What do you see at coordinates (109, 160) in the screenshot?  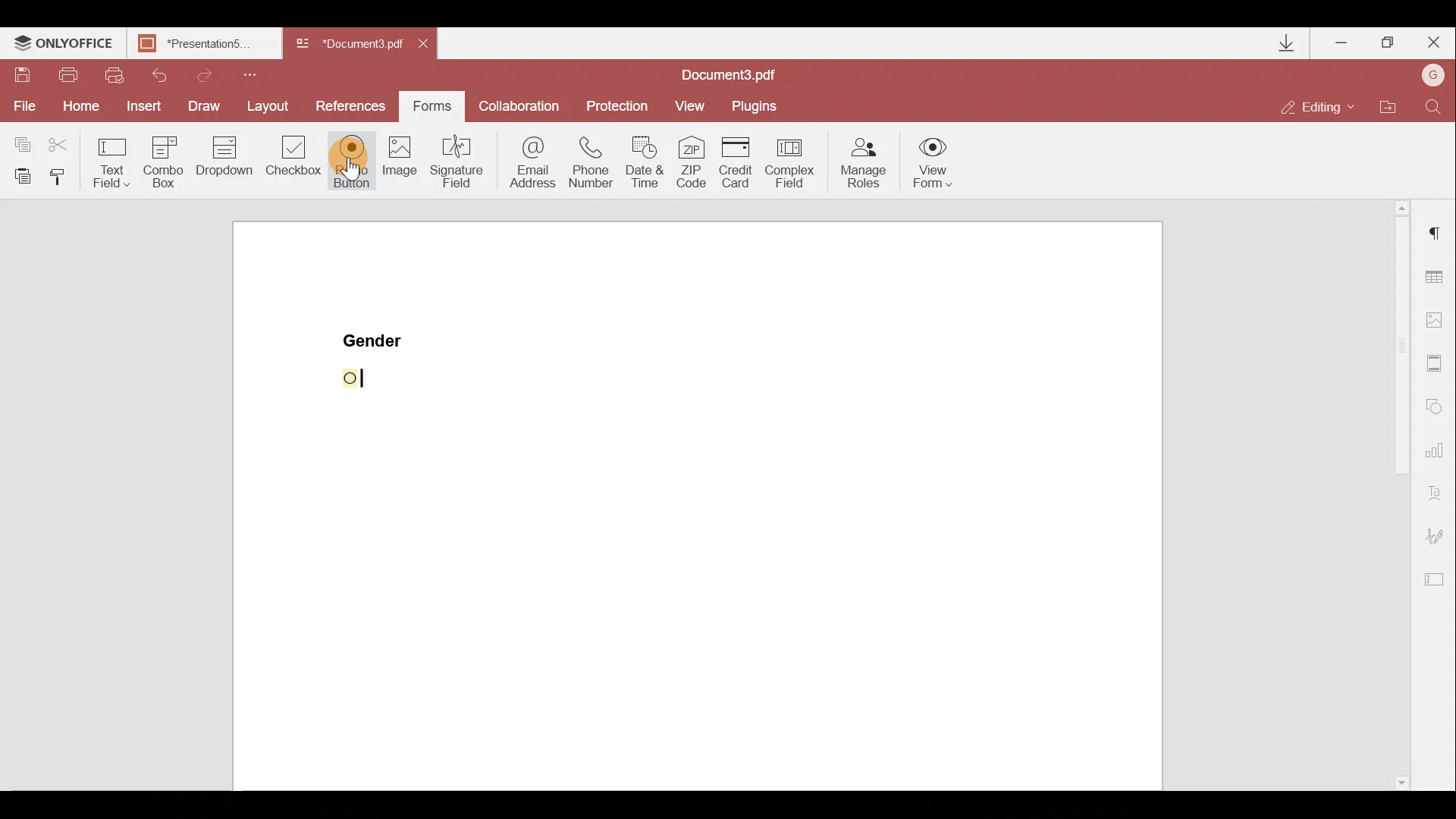 I see `Text field` at bounding box center [109, 160].